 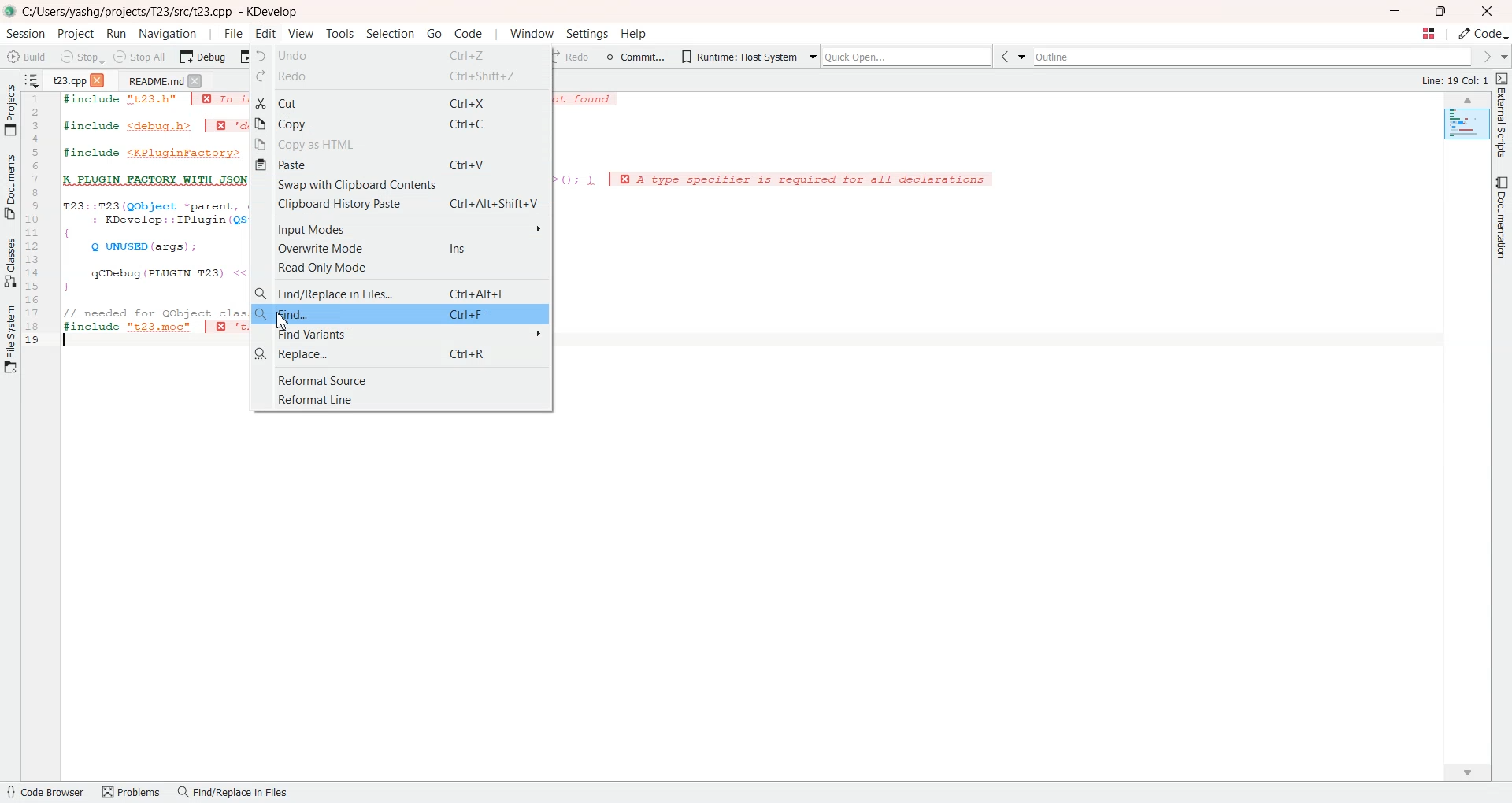 What do you see at coordinates (196, 80) in the screenshot?
I see `Close` at bounding box center [196, 80].